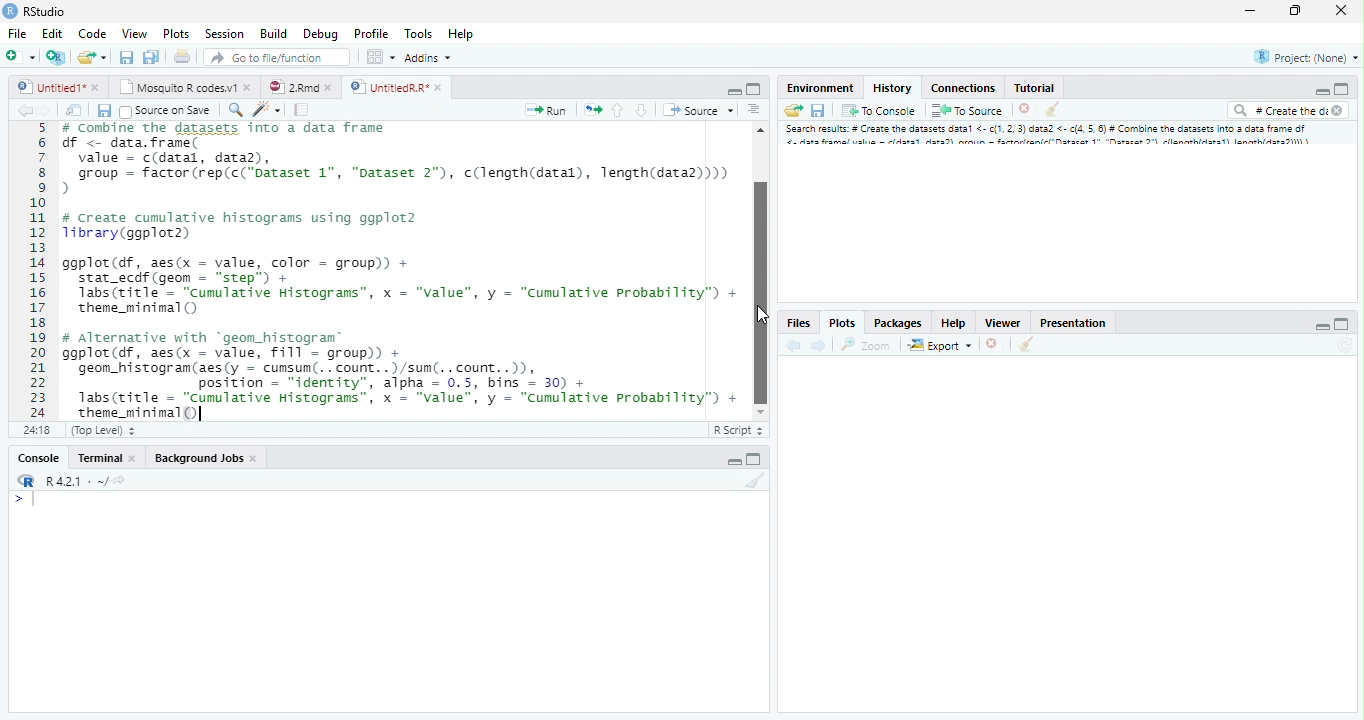 The image size is (1364, 720). I want to click on Untitled, so click(61, 85).